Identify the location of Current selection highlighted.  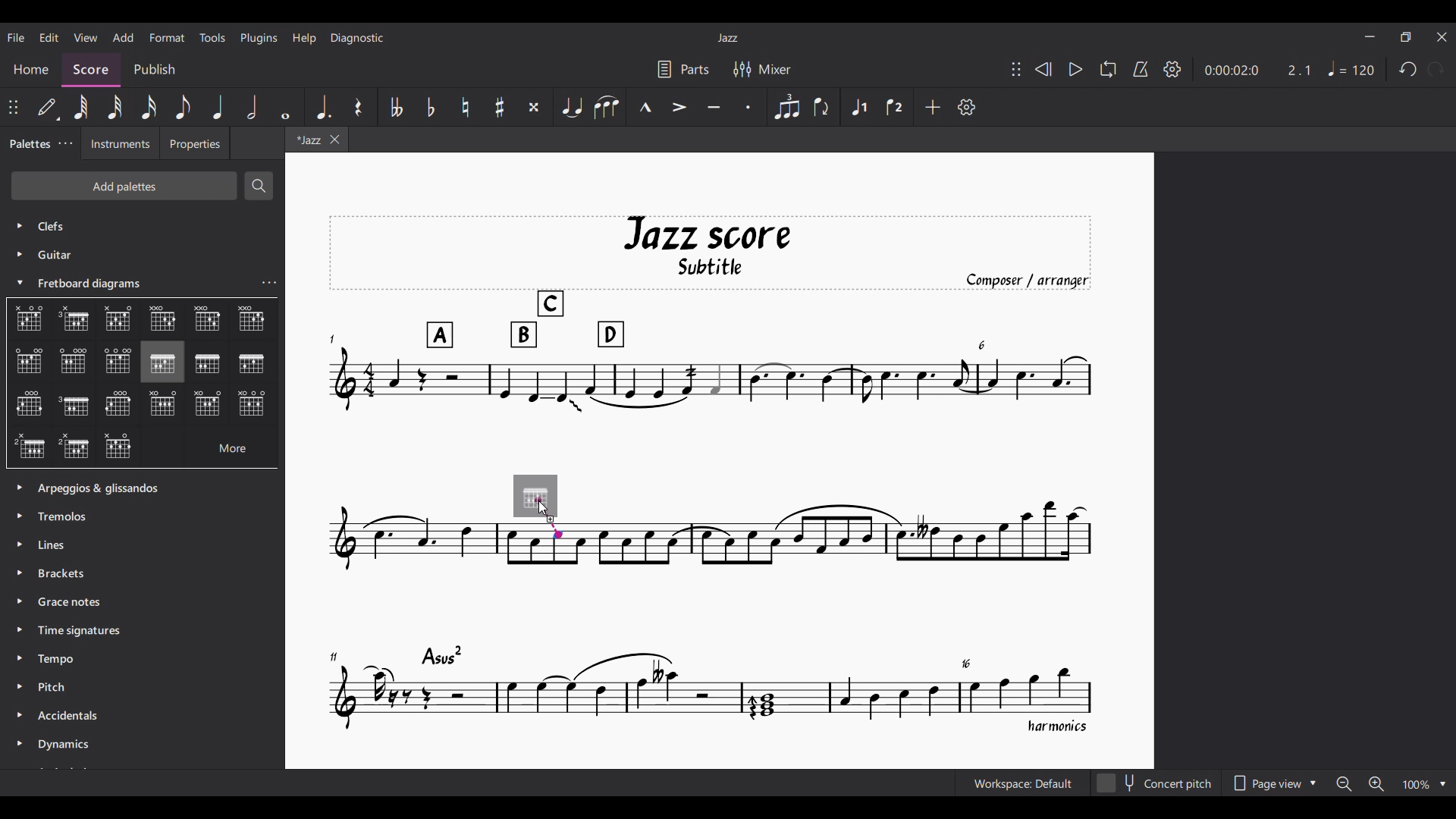
(162, 362).